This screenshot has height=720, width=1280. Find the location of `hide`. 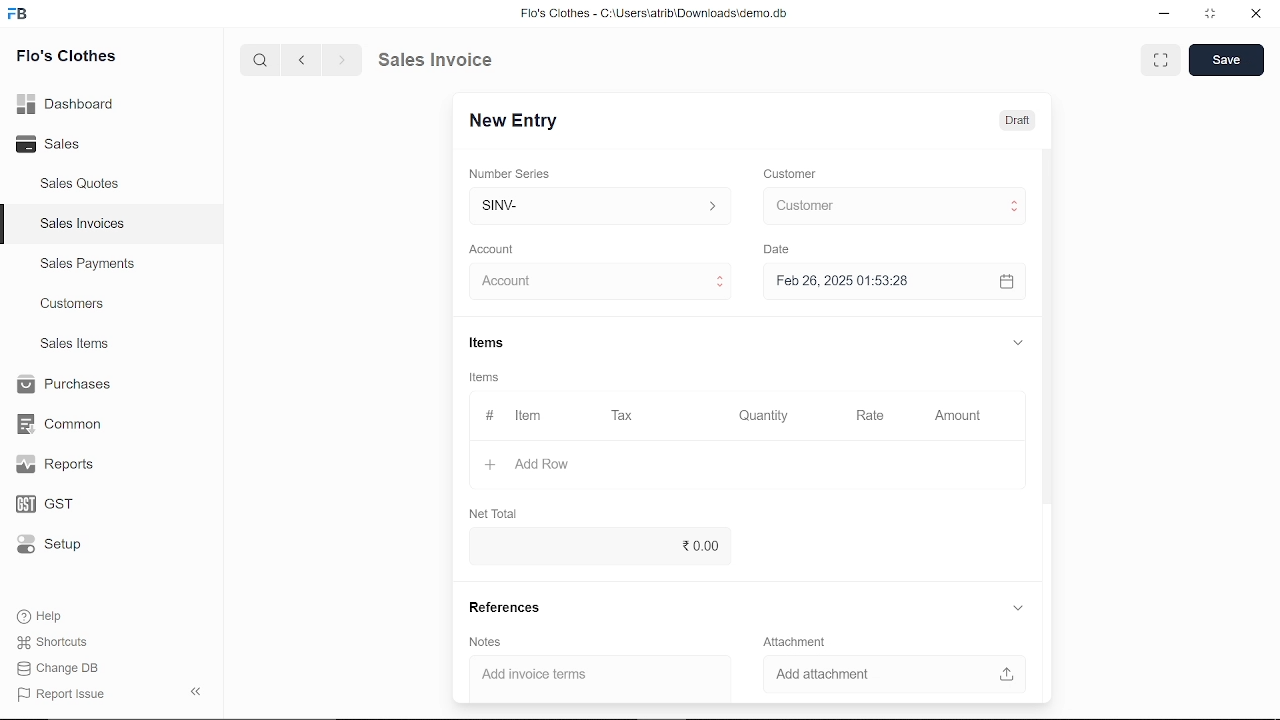

hide is located at coordinates (197, 689).